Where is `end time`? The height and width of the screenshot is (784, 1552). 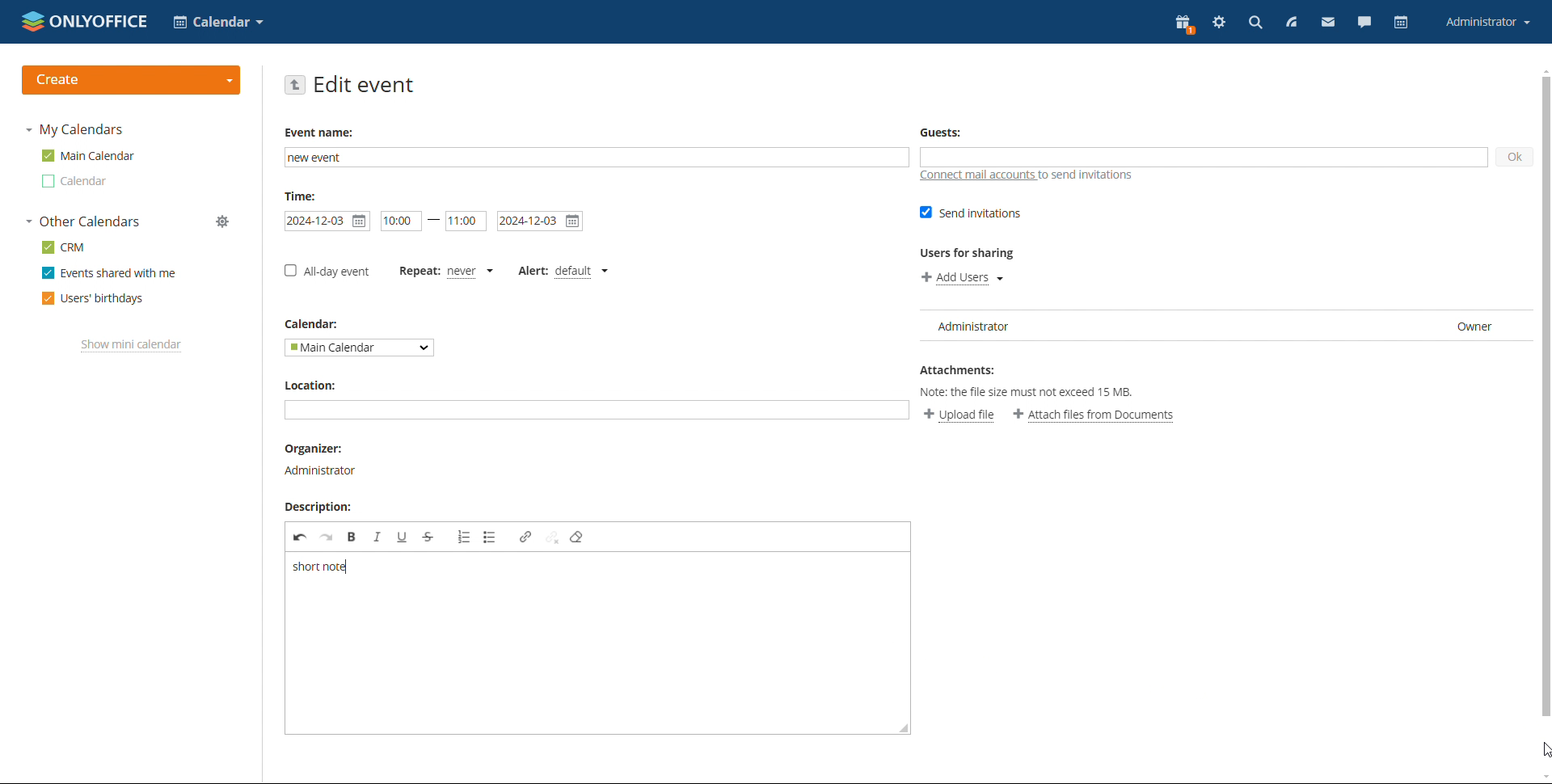
end time is located at coordinates (466, 221).